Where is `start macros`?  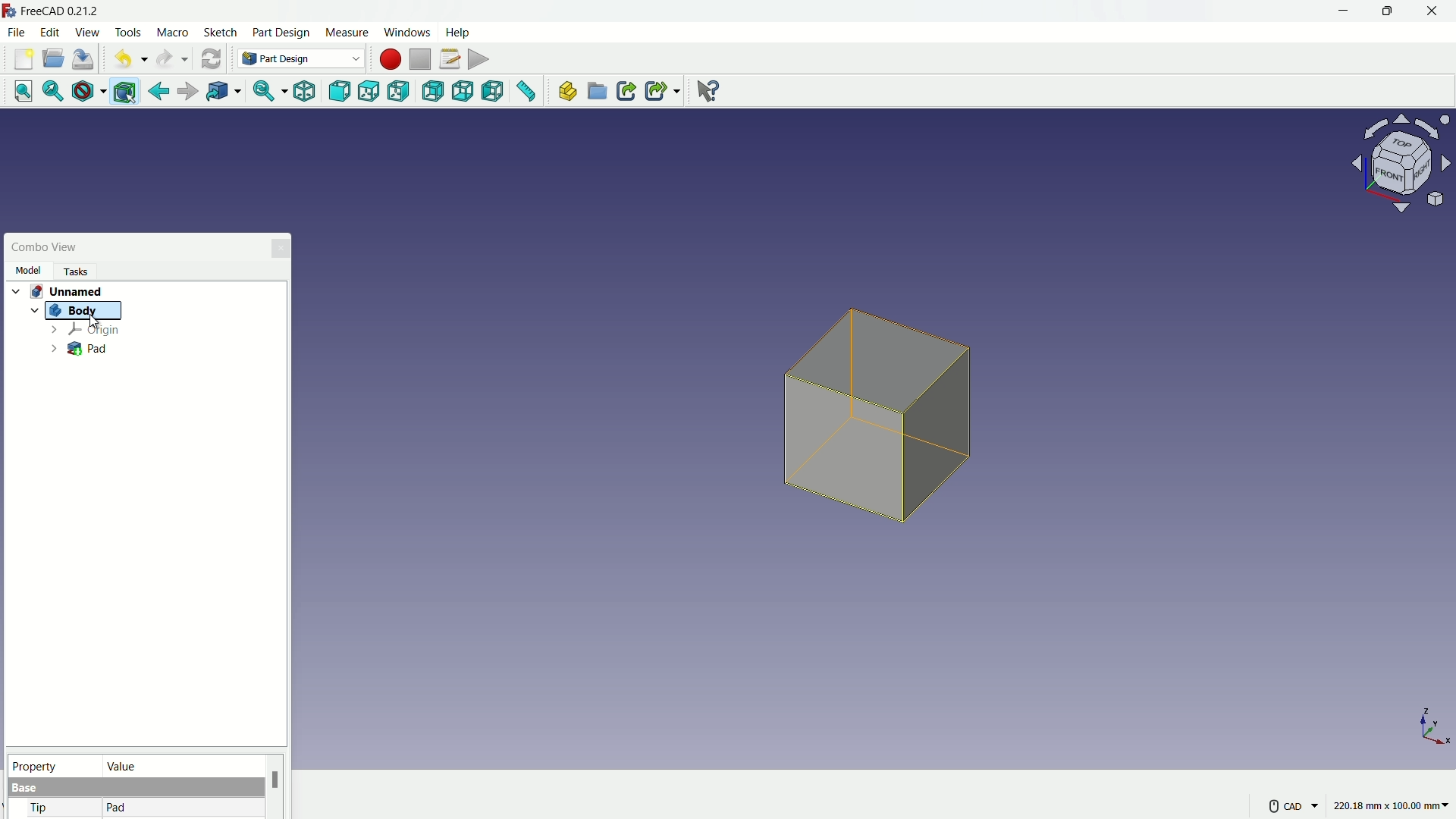 start macros is located at coordinates (389, 59).